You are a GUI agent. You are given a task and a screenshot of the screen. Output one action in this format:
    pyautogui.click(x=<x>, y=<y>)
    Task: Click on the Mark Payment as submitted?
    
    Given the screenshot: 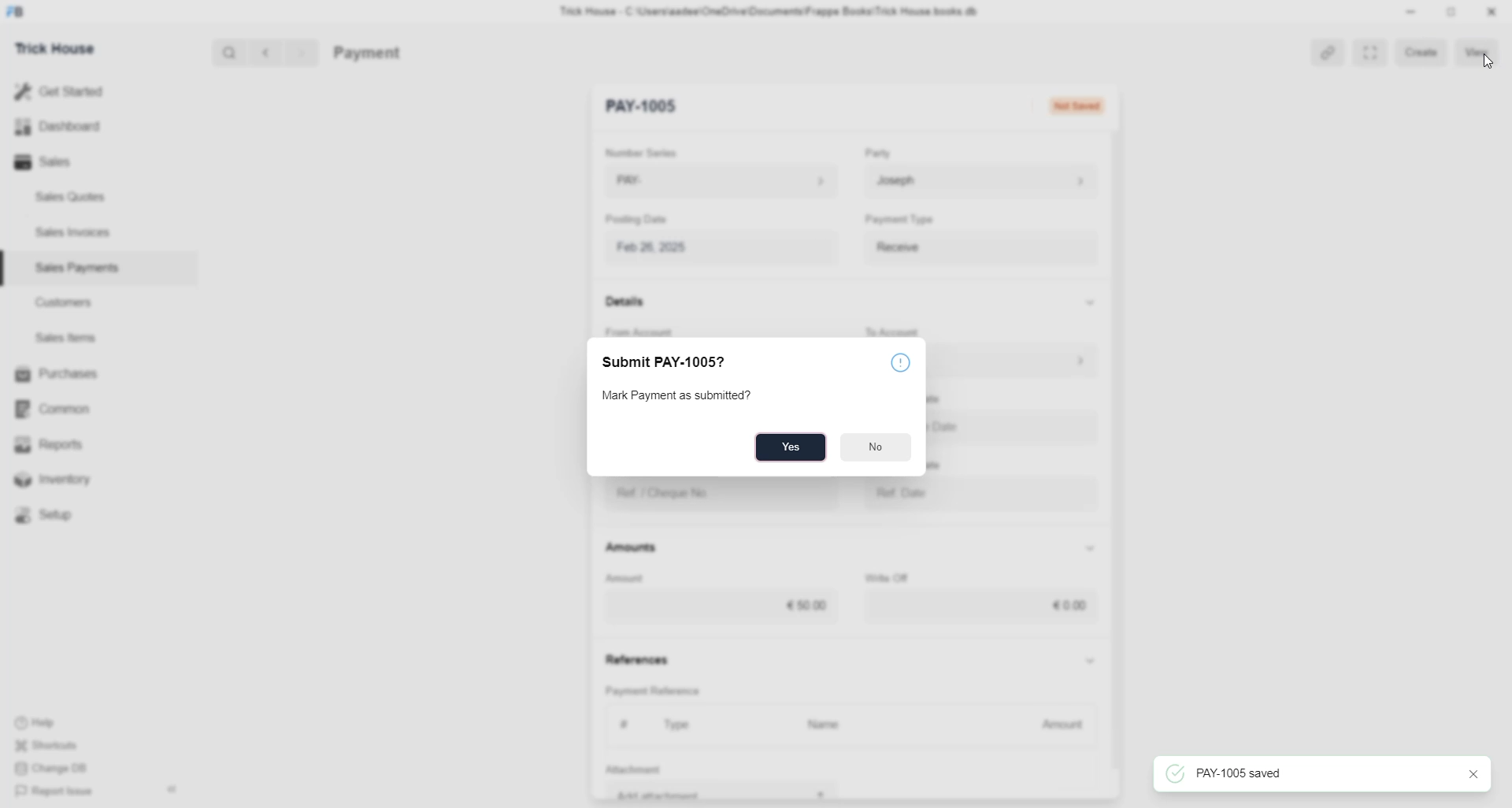 What is the action you would take?
    pyautogui.click(x=676, y=395)
    